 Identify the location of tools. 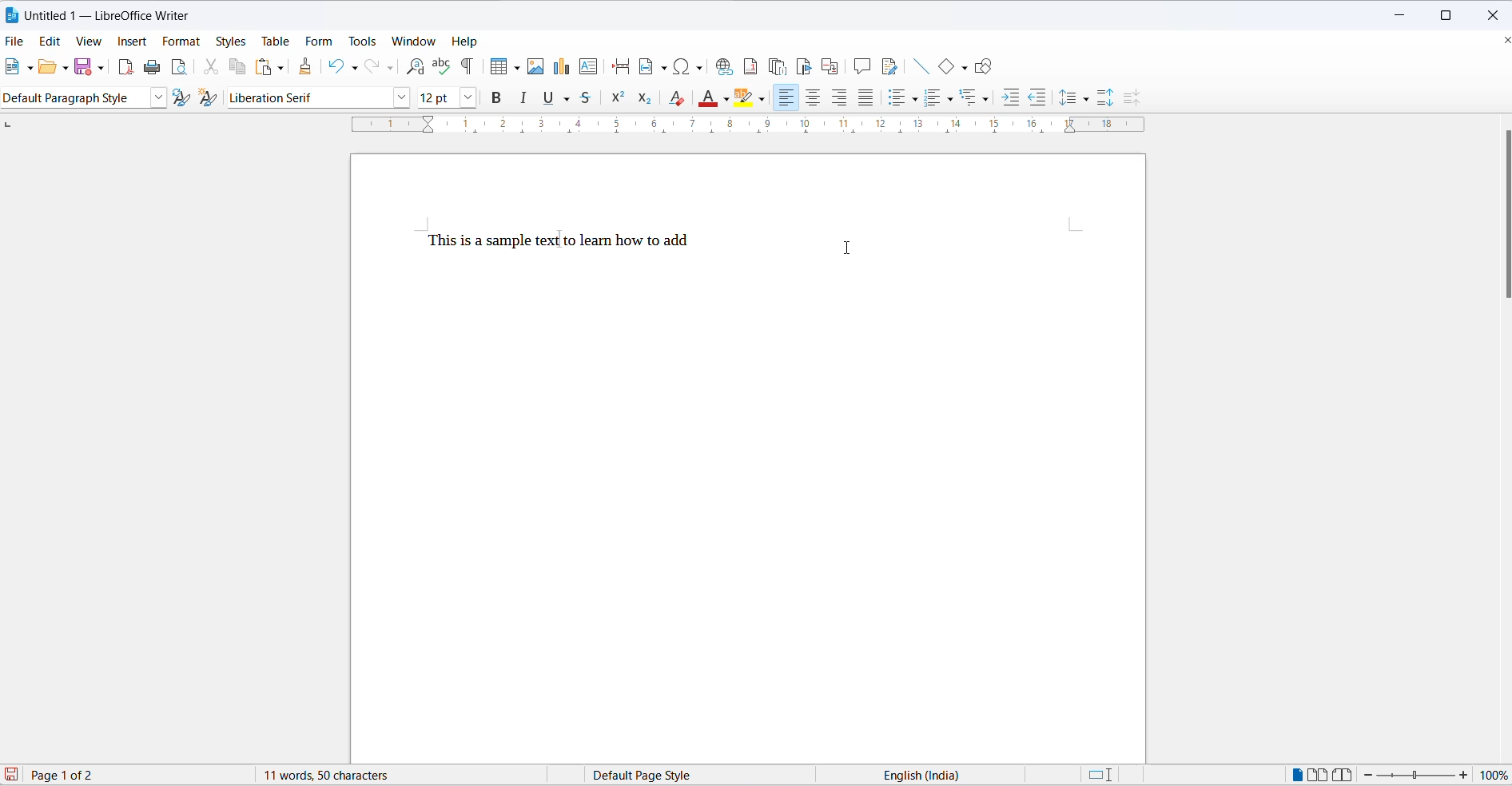
(364, 40).